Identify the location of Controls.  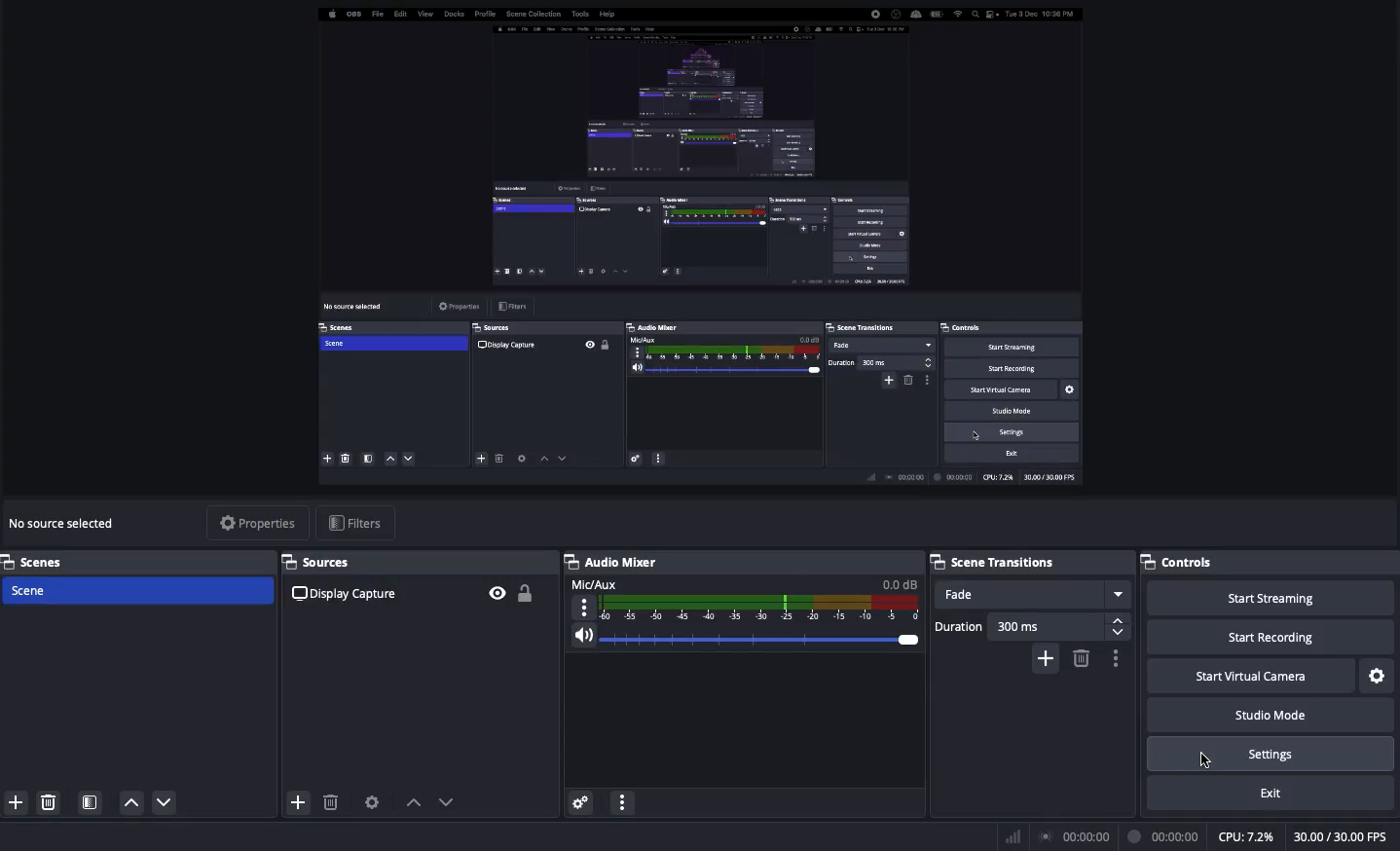
(1179, 562).